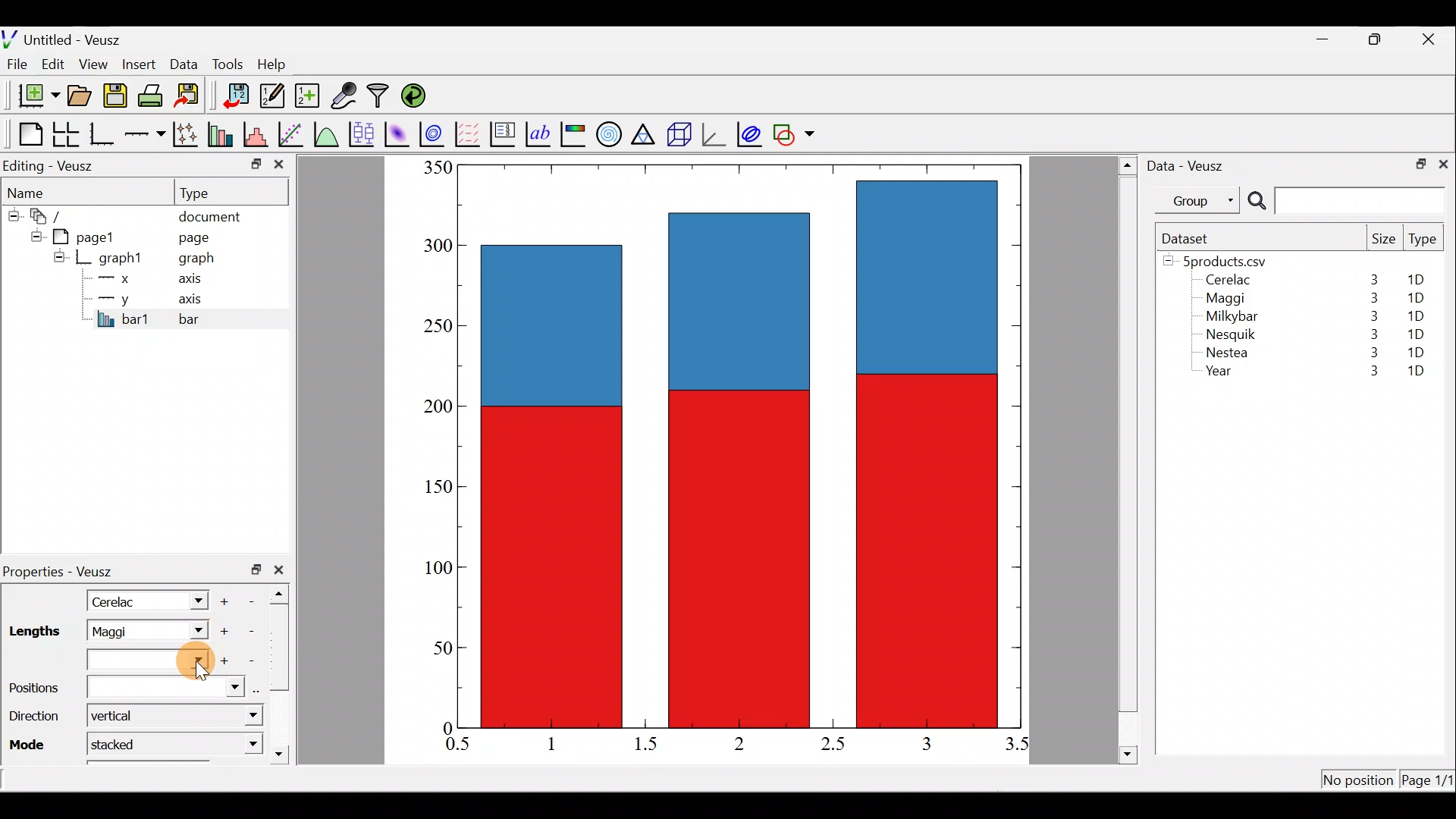 The image size is (1456, 819). What do you see at coordinates (103, 134) in the screenshot?
I see `Base graph` at bounding box center [103, 134].